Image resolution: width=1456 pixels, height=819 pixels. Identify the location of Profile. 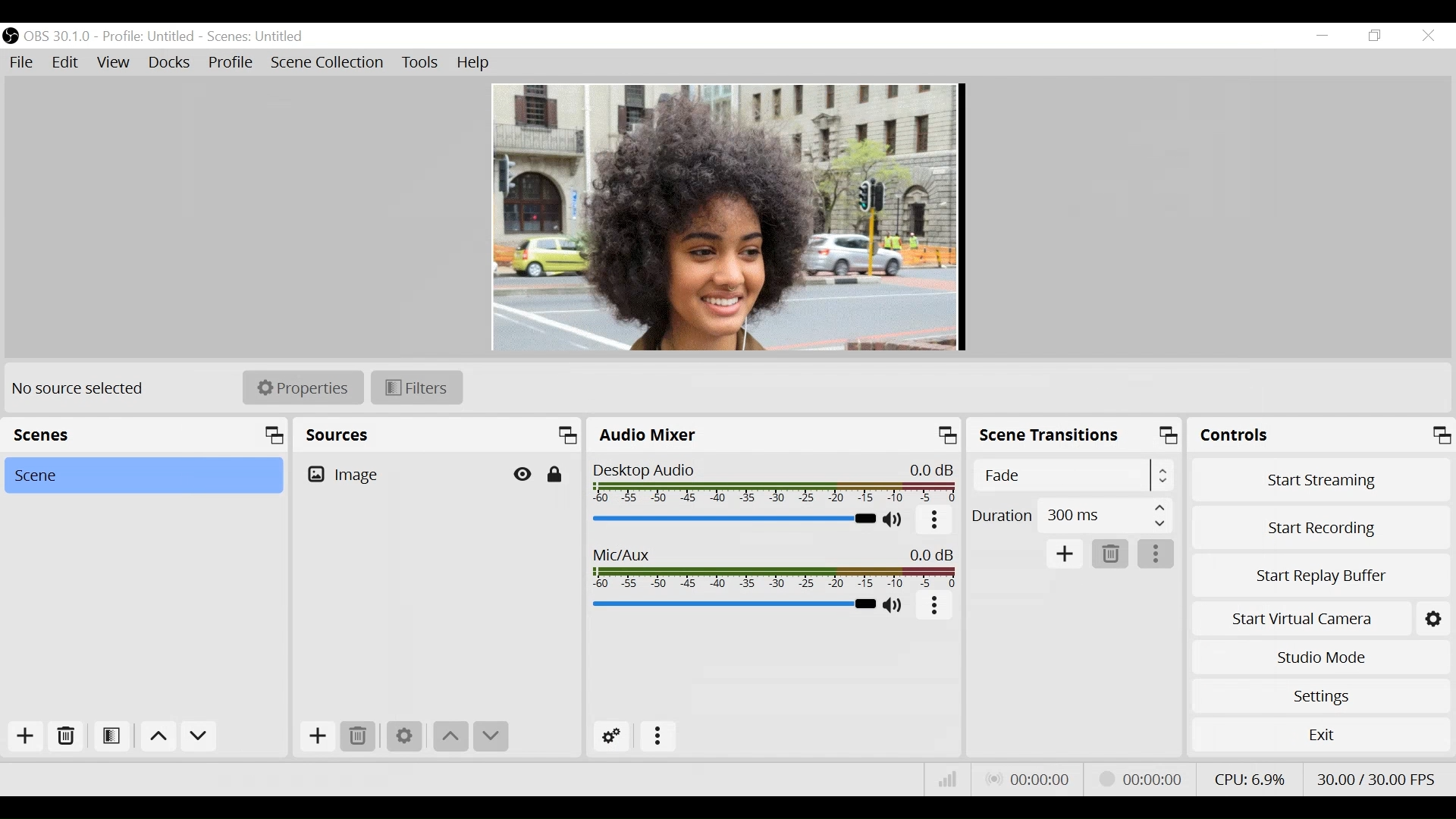
(233, 62).